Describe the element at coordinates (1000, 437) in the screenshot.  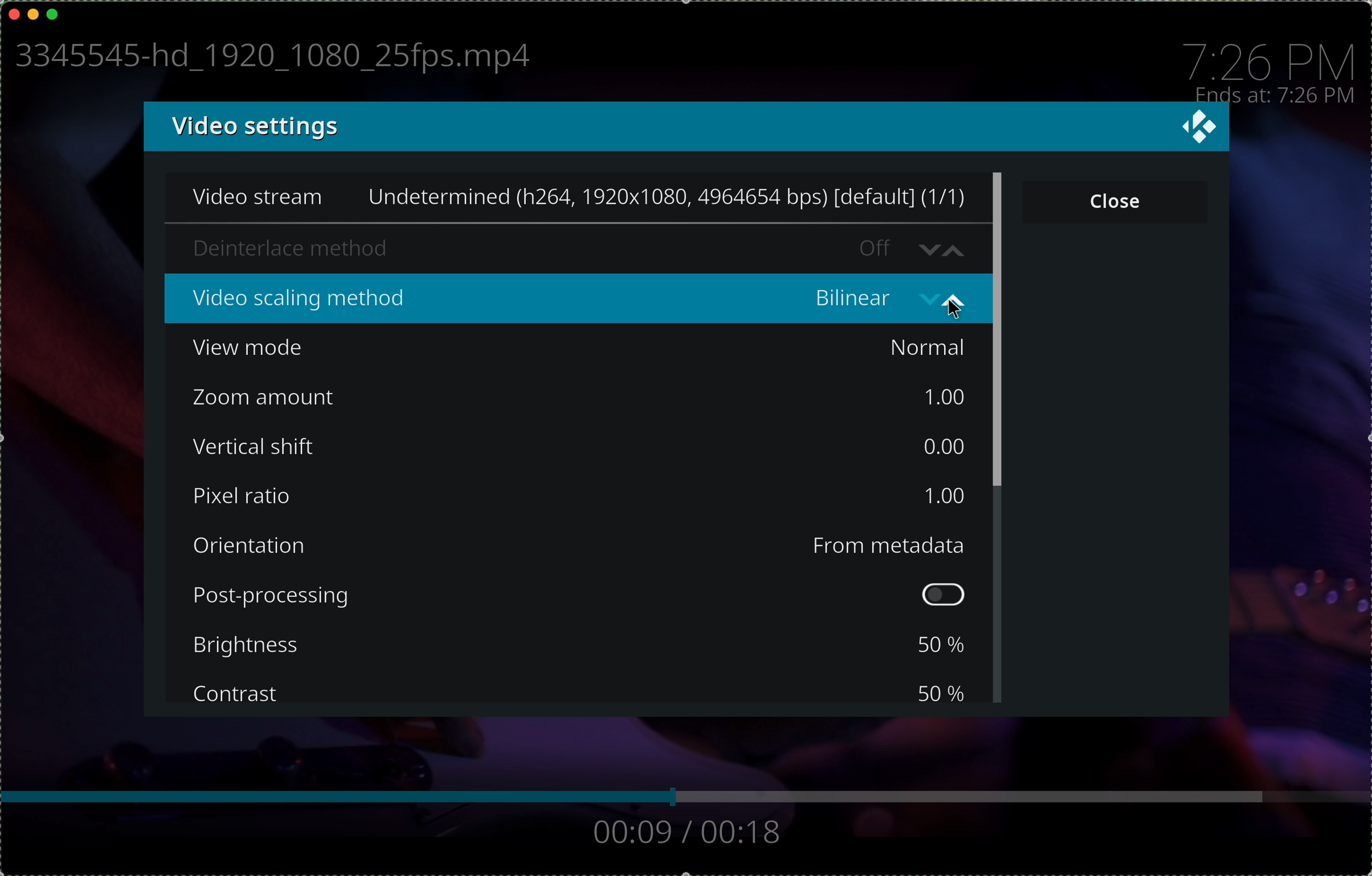
I see `scroll bar` at that location.